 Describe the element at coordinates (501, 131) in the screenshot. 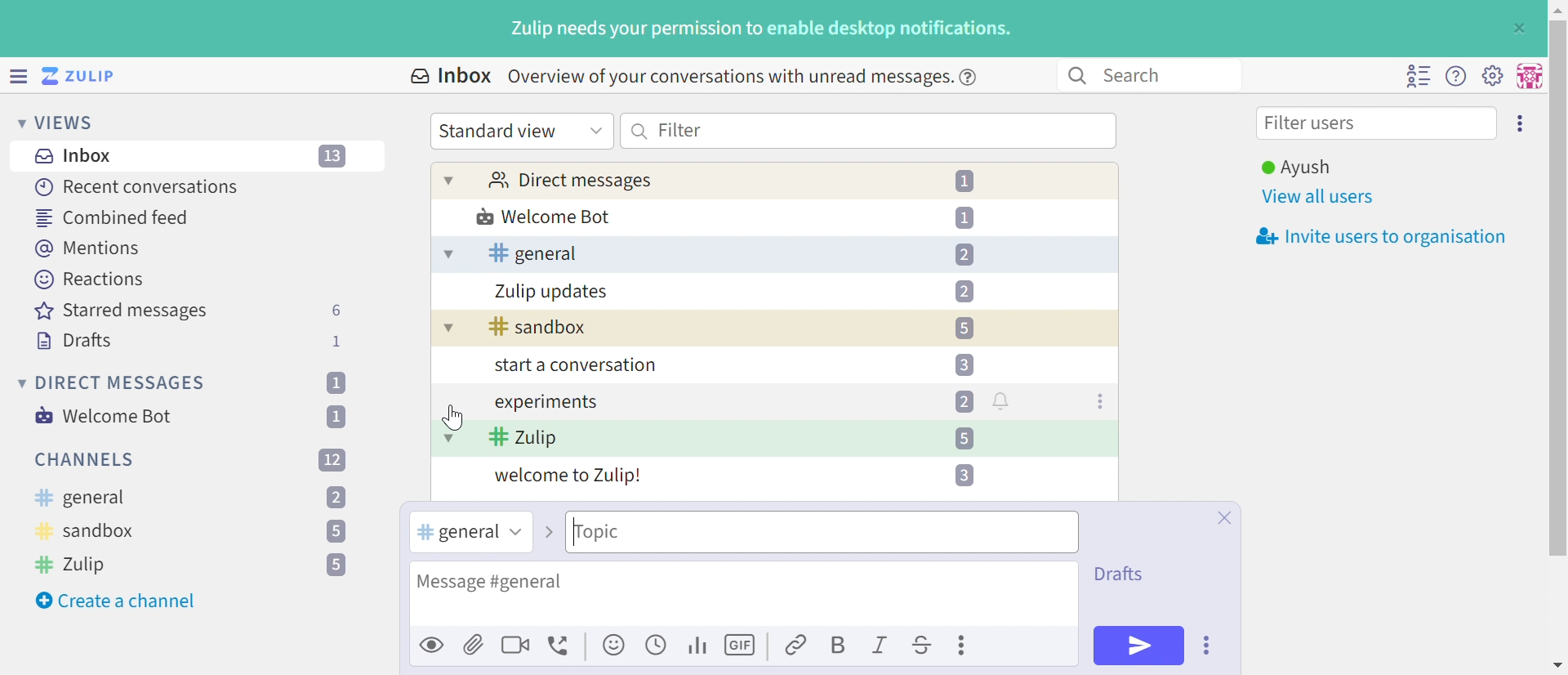

I see `Standard view` at that location.